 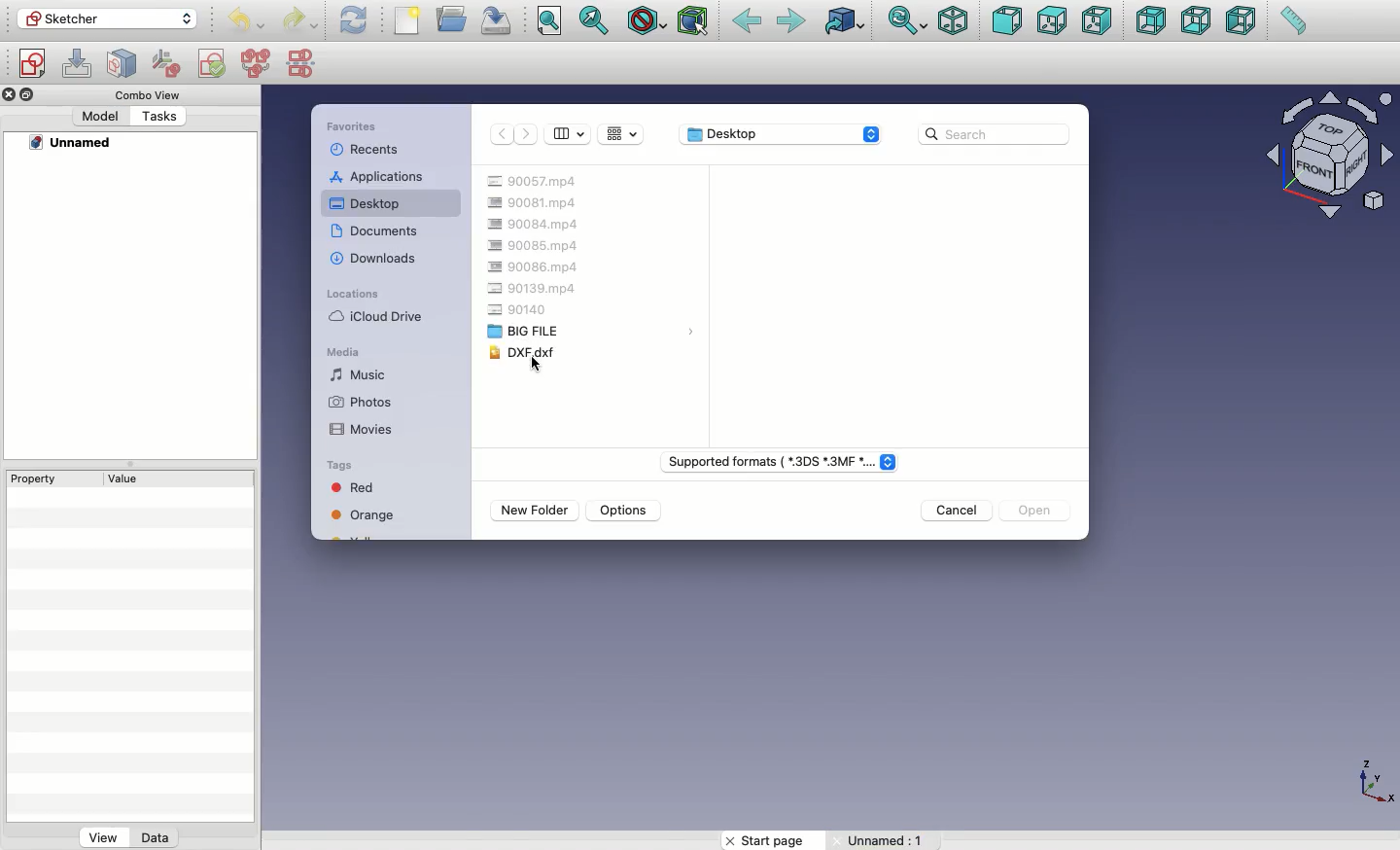 I want to click on Data, so click(x=156, y=836).